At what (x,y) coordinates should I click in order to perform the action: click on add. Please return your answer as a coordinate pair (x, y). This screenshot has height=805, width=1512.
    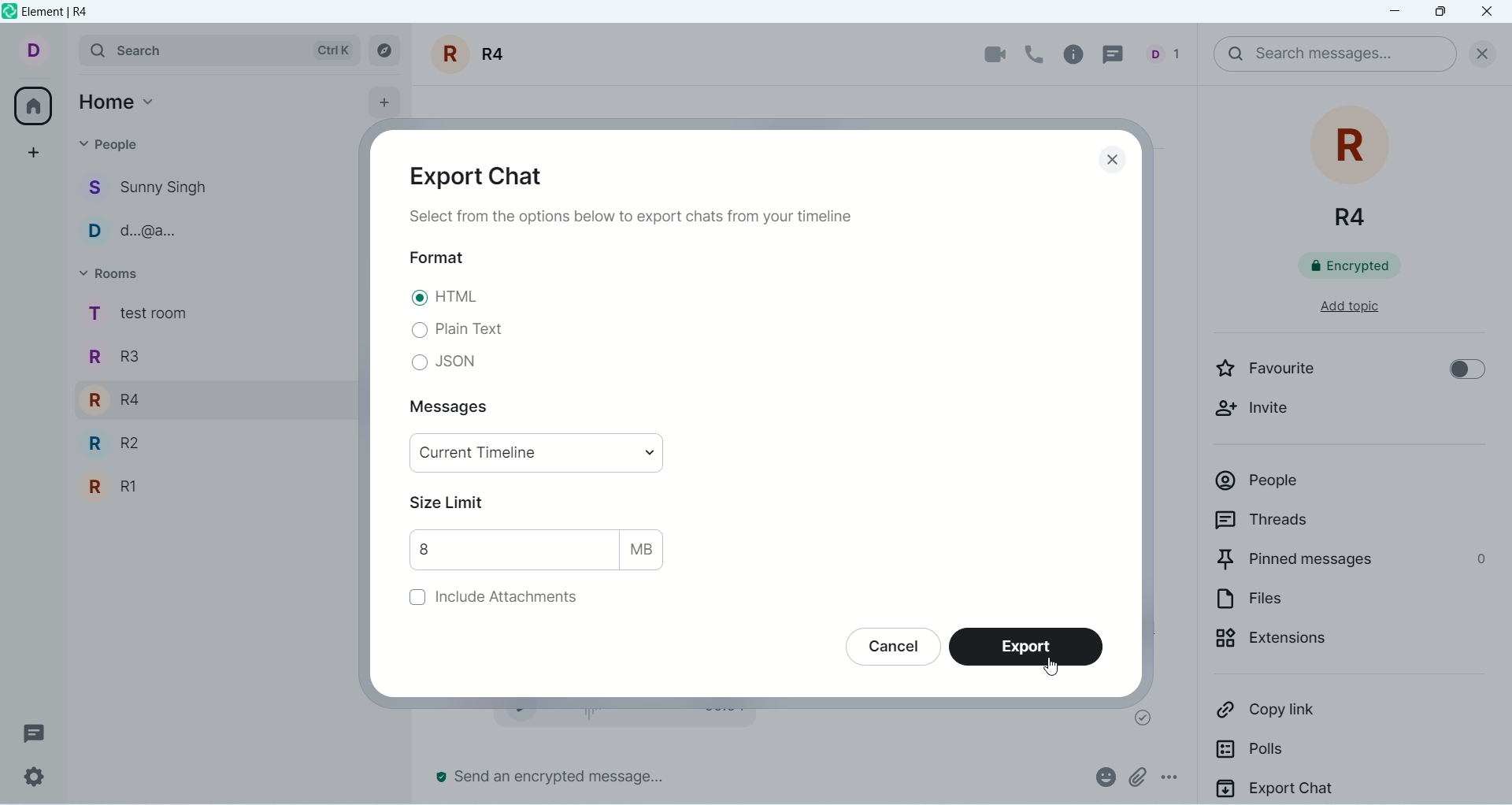
    Looking at the image, I should click on (387, 100).